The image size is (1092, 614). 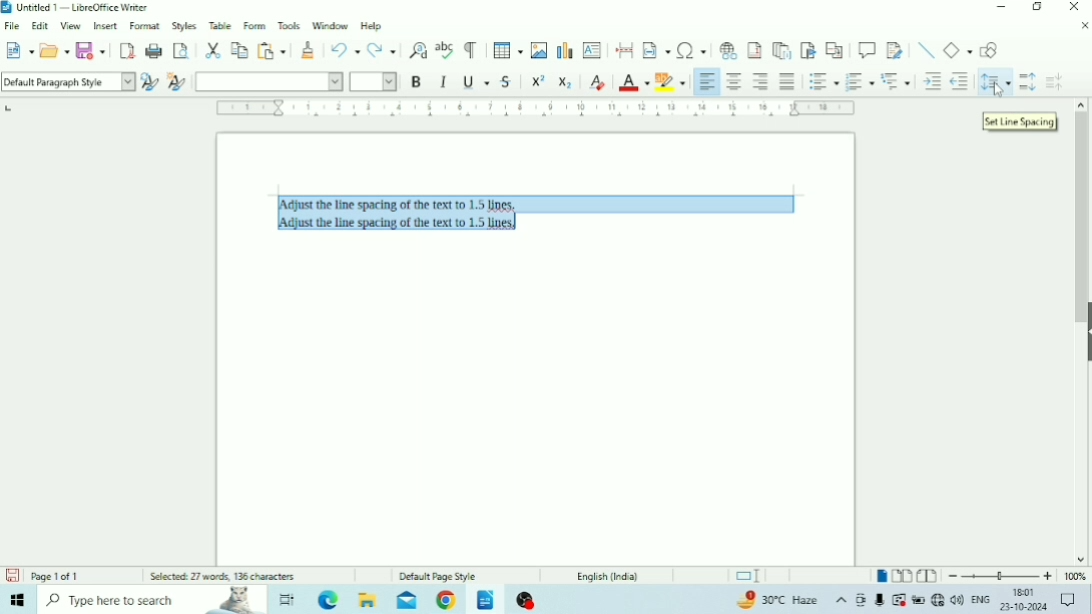 What do you see at coordinates (1037, 7) in the screenshot?
I see `Restore Down` at bounding box center [1037, 7].